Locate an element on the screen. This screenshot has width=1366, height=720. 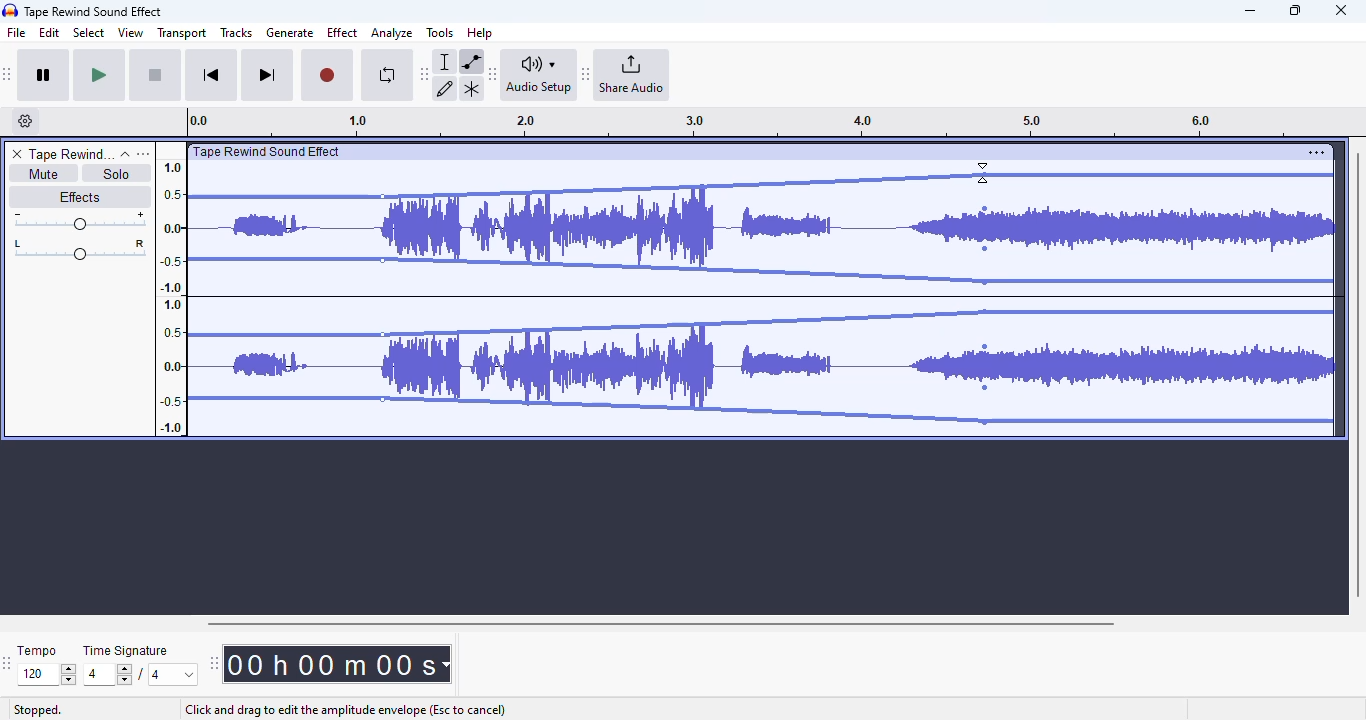
skip to end is located at coordinates (266, 76).